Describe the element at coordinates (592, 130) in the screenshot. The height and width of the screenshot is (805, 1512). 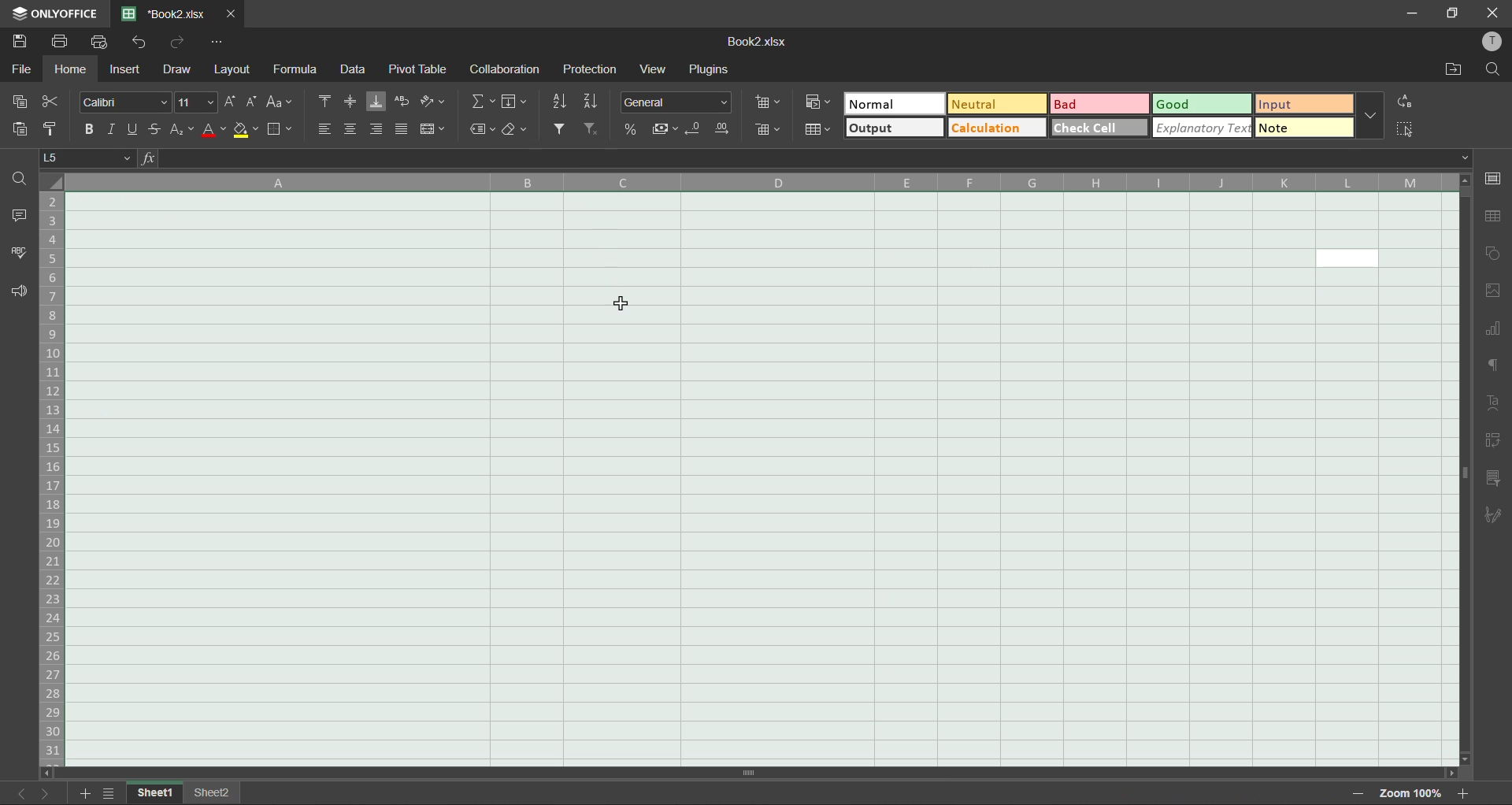
I see `clear filter` at that location.